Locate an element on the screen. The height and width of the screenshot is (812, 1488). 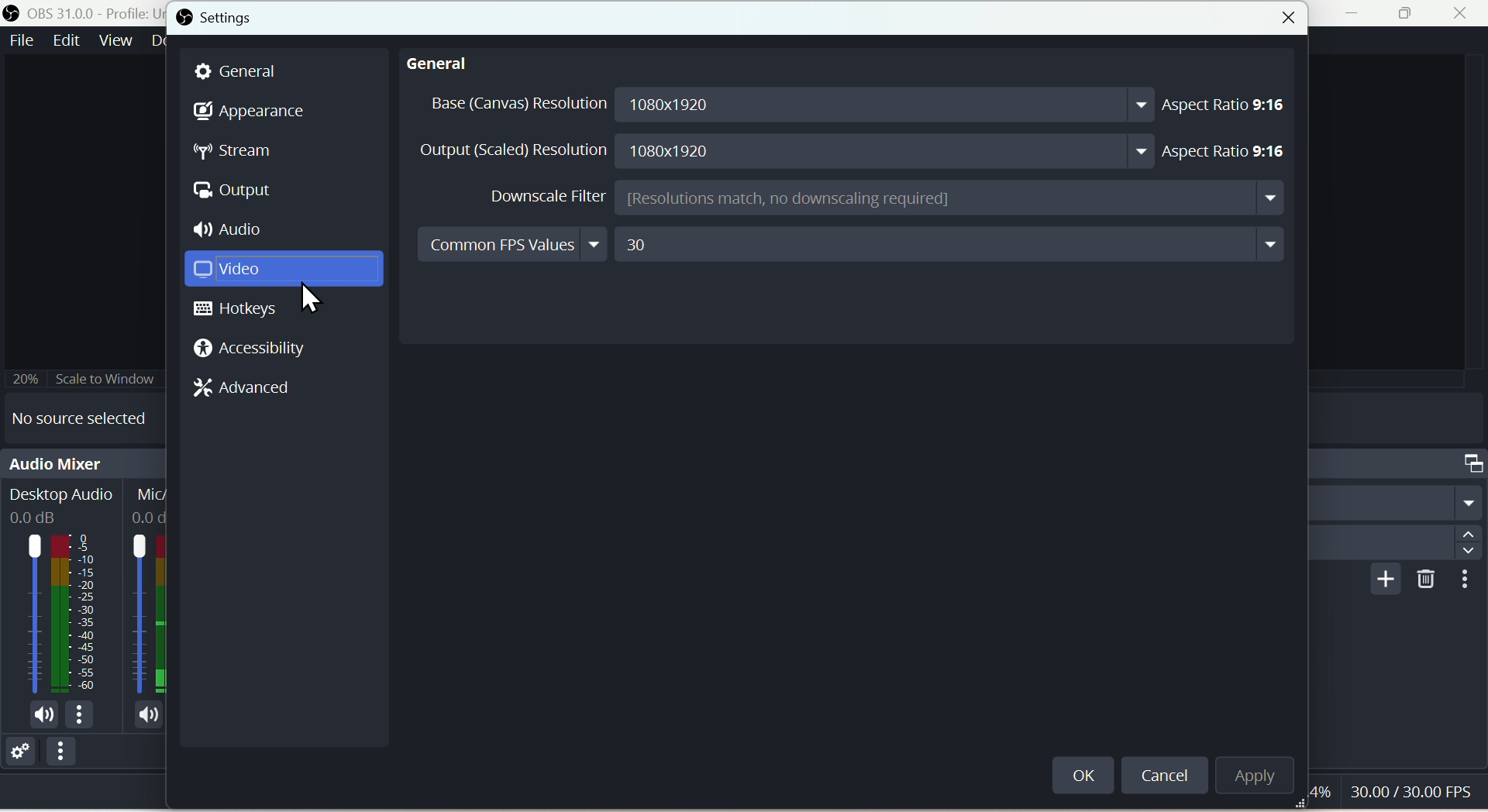
Edit is located at coordinates (66, 40).